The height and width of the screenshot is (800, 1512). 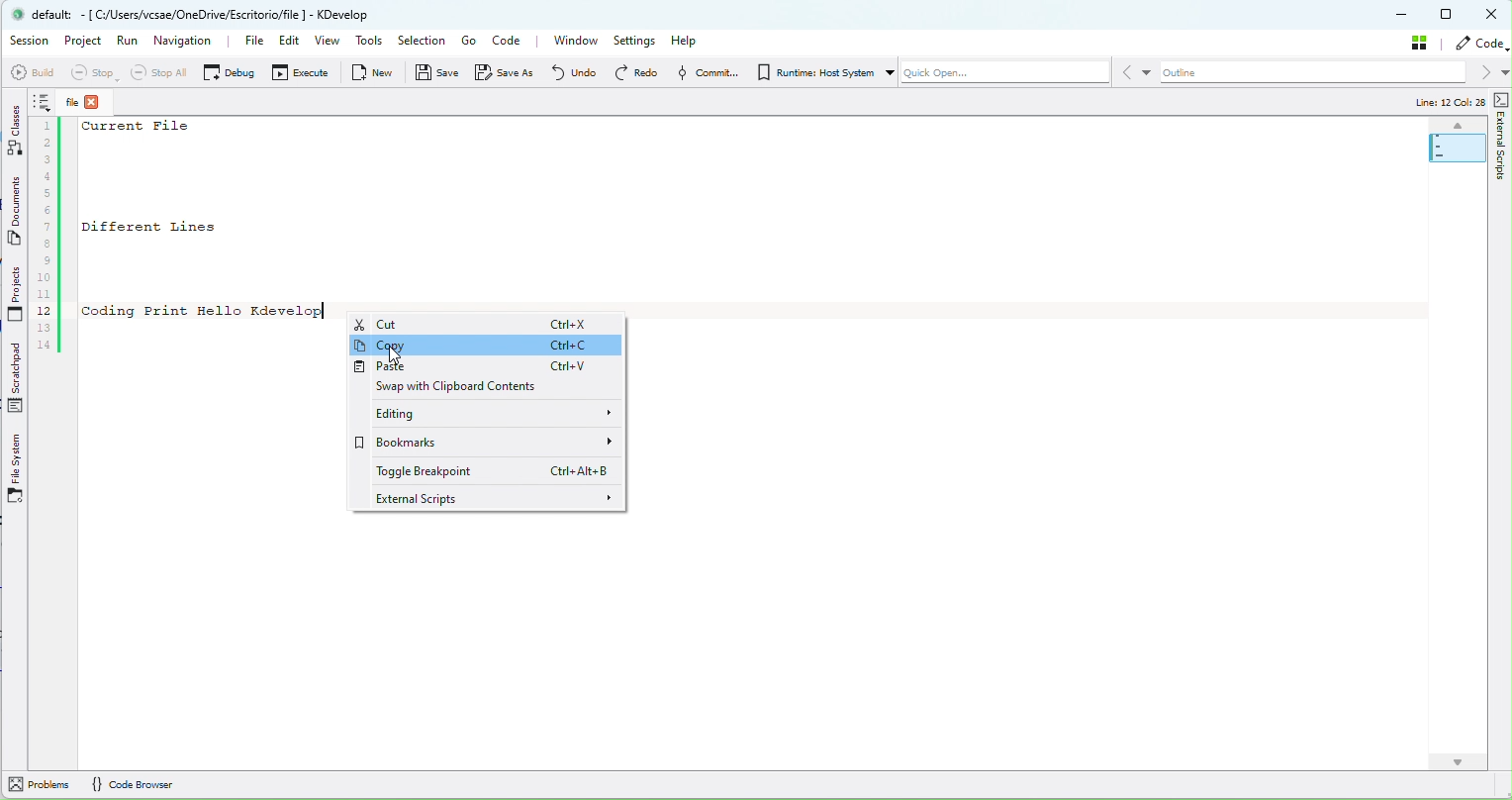 What do you see at coordinates (1502, 161) in the screenshot?
I see `External Scripts` at bounding box center [1502, 161].